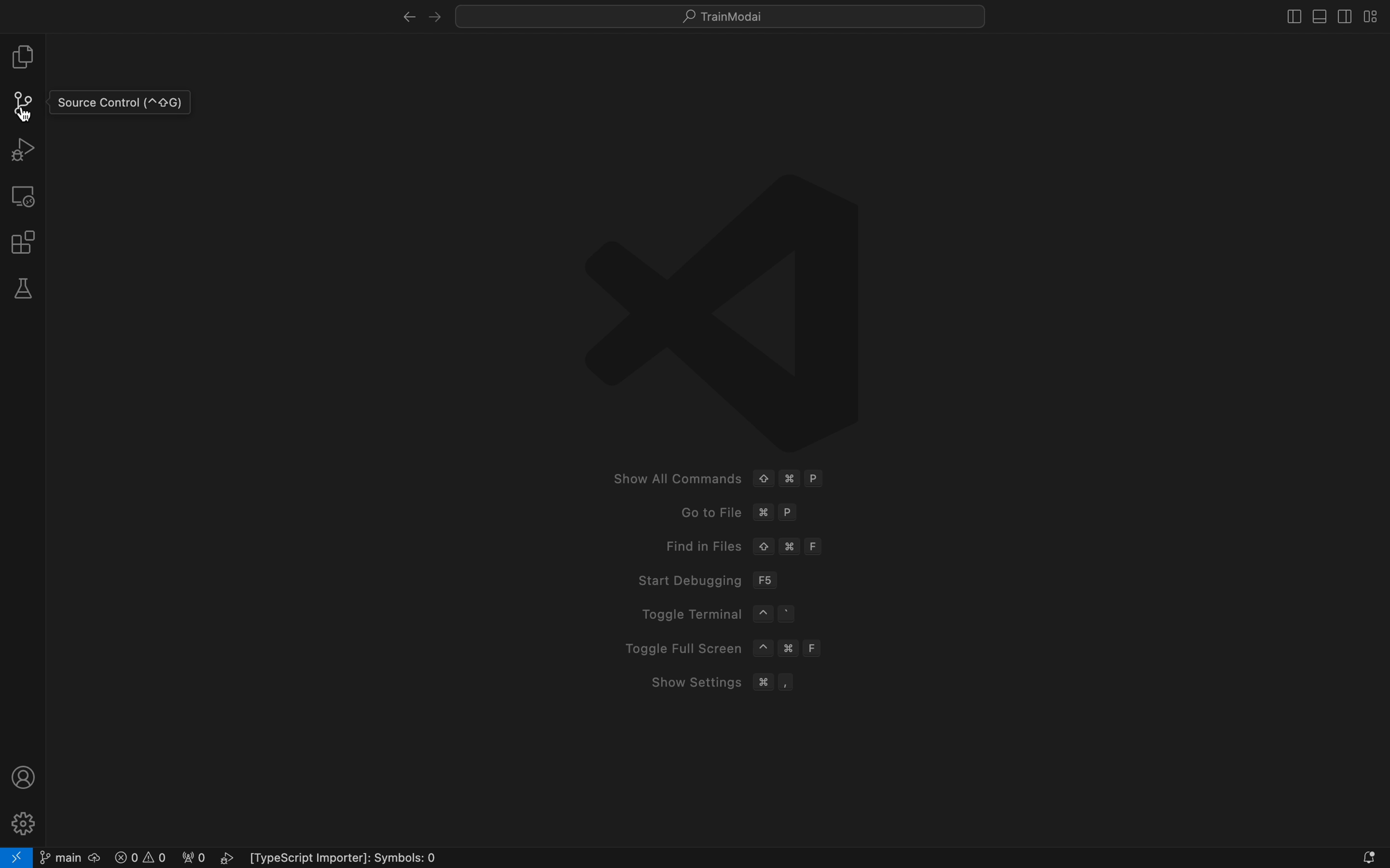 The image size is (1390, 868). I want to click on welcome screen, so click(720, 443).